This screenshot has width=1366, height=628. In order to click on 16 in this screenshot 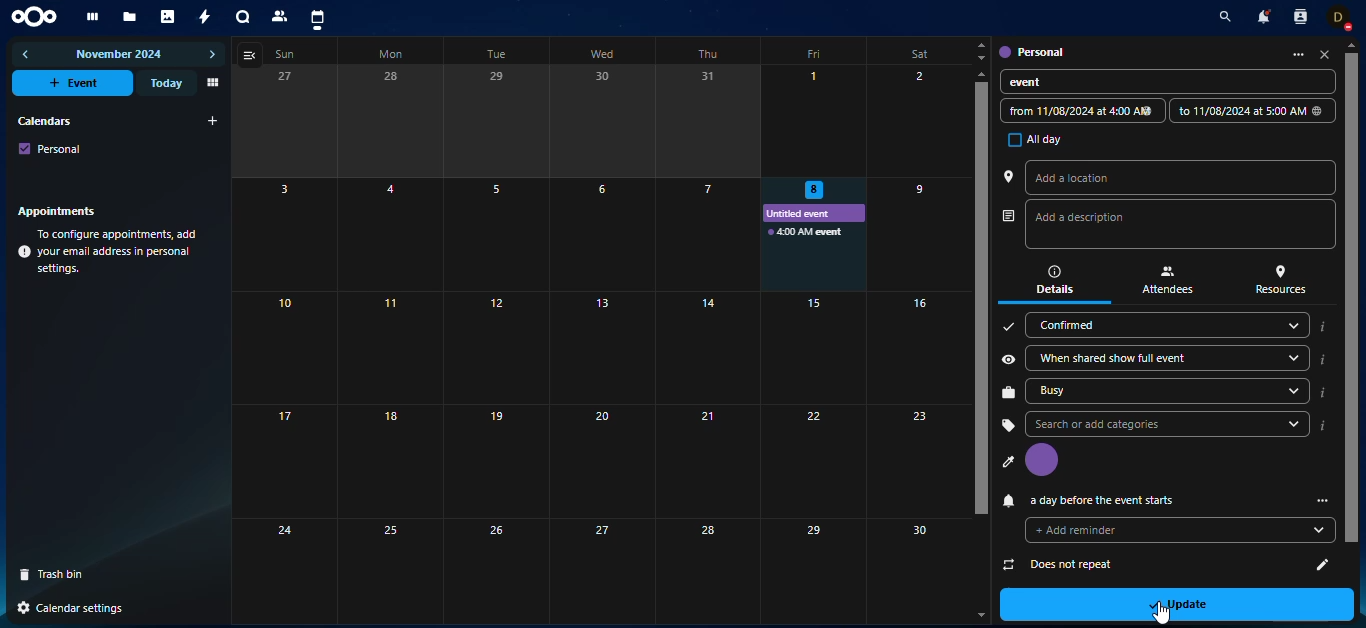, I will do `click(917, 348)`.